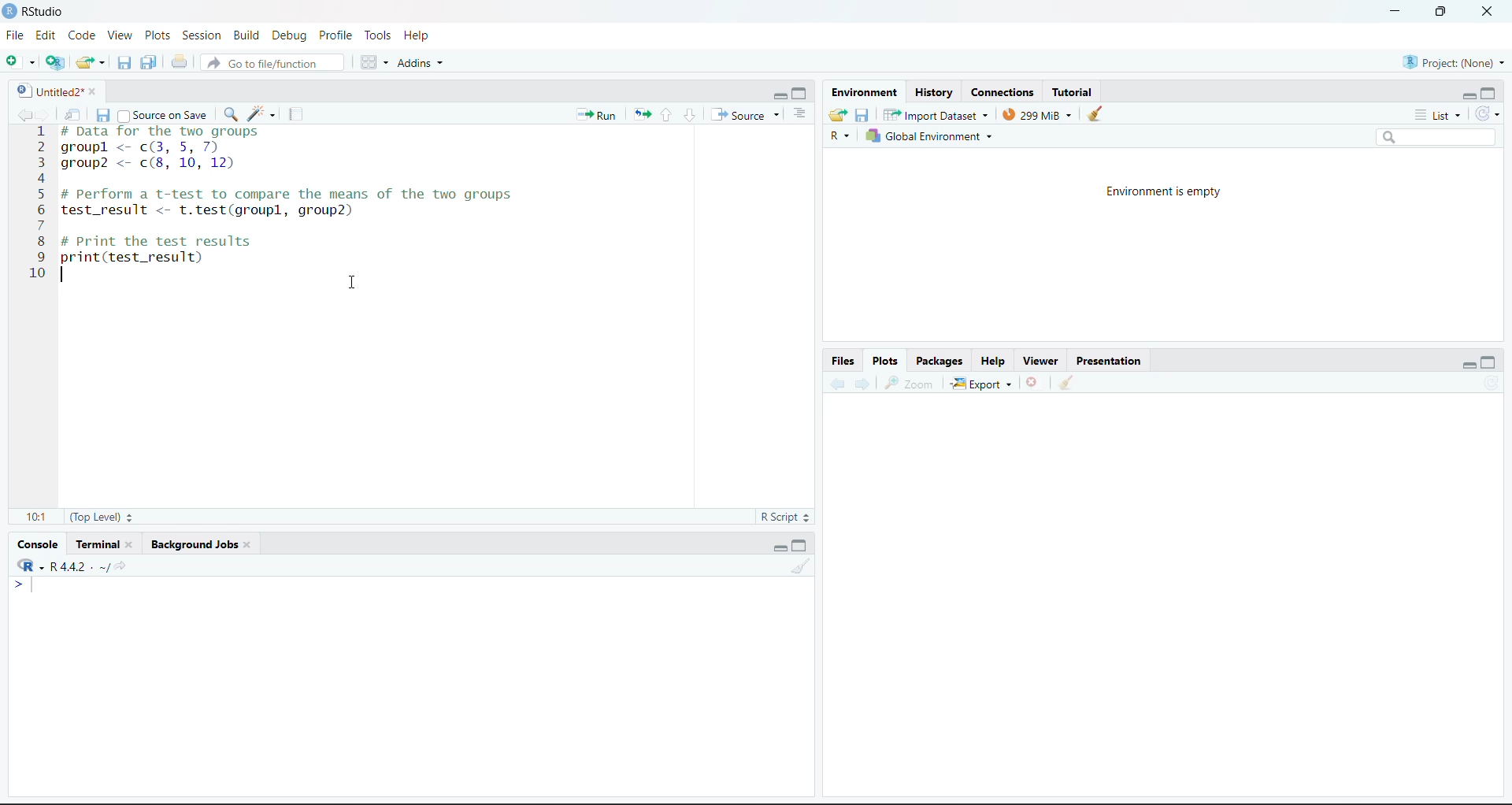 The image size is (1512, 805). What do you see at coordinates (56, 63) in the screenshot?
I see `create a project` at bounding box center [56, 63].